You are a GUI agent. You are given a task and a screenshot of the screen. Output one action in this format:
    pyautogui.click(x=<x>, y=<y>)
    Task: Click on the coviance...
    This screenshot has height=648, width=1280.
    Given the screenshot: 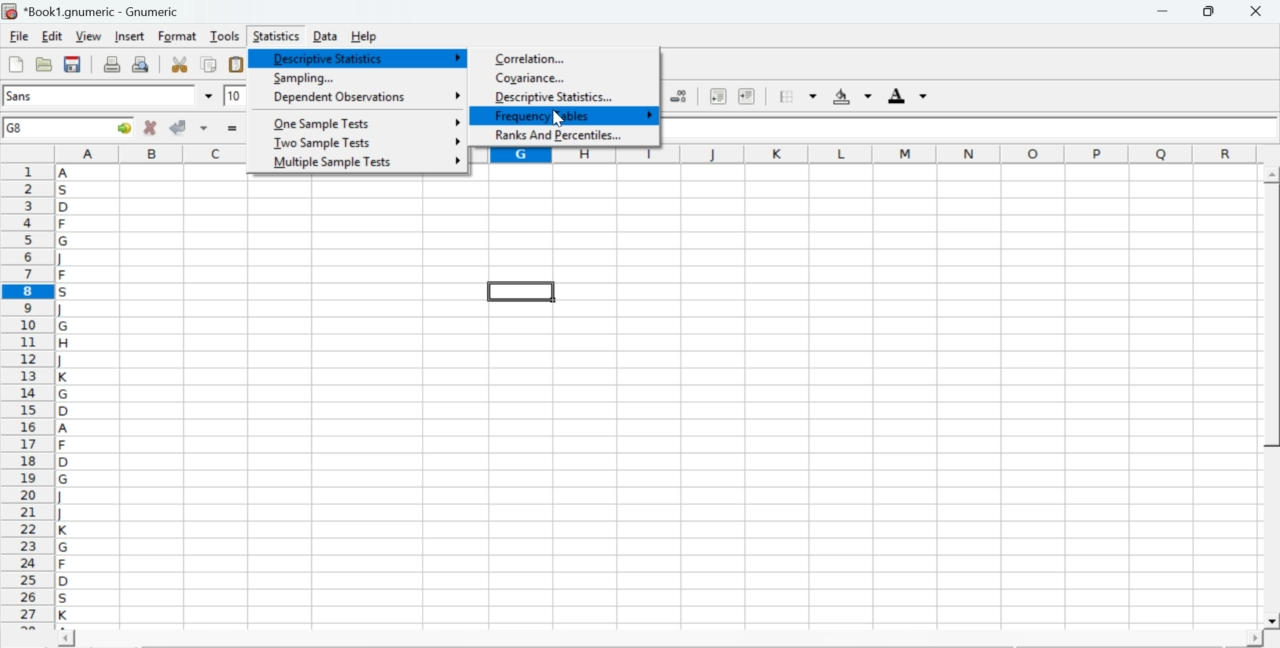 What is the action you would take?
    pyautogui.click(x=532, y=78)
    